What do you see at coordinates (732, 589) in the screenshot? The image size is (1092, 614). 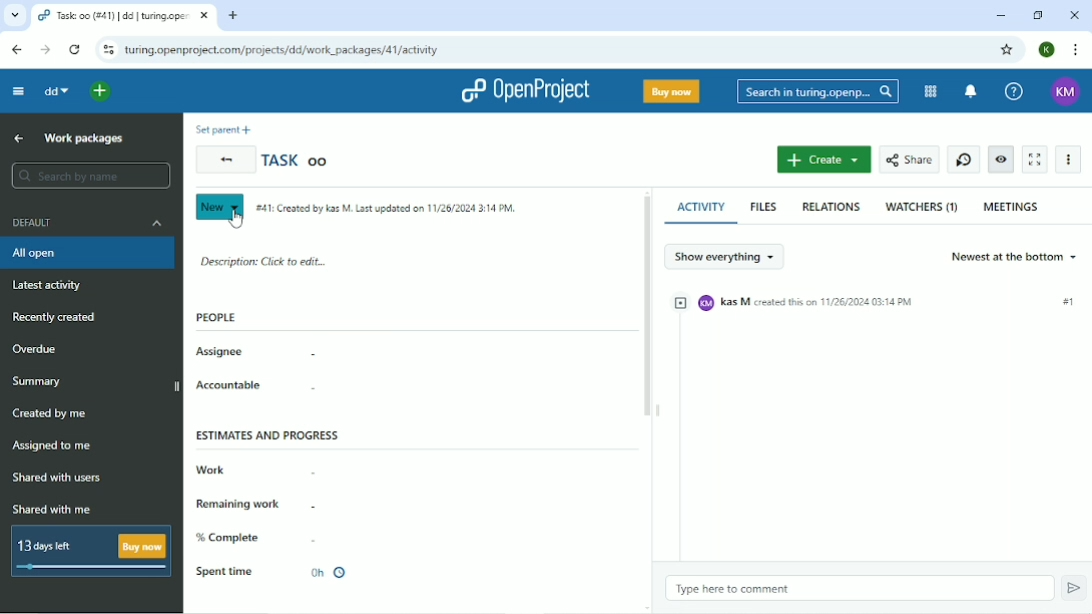 I see `Type here to comment` at bounding box center [732, 589].